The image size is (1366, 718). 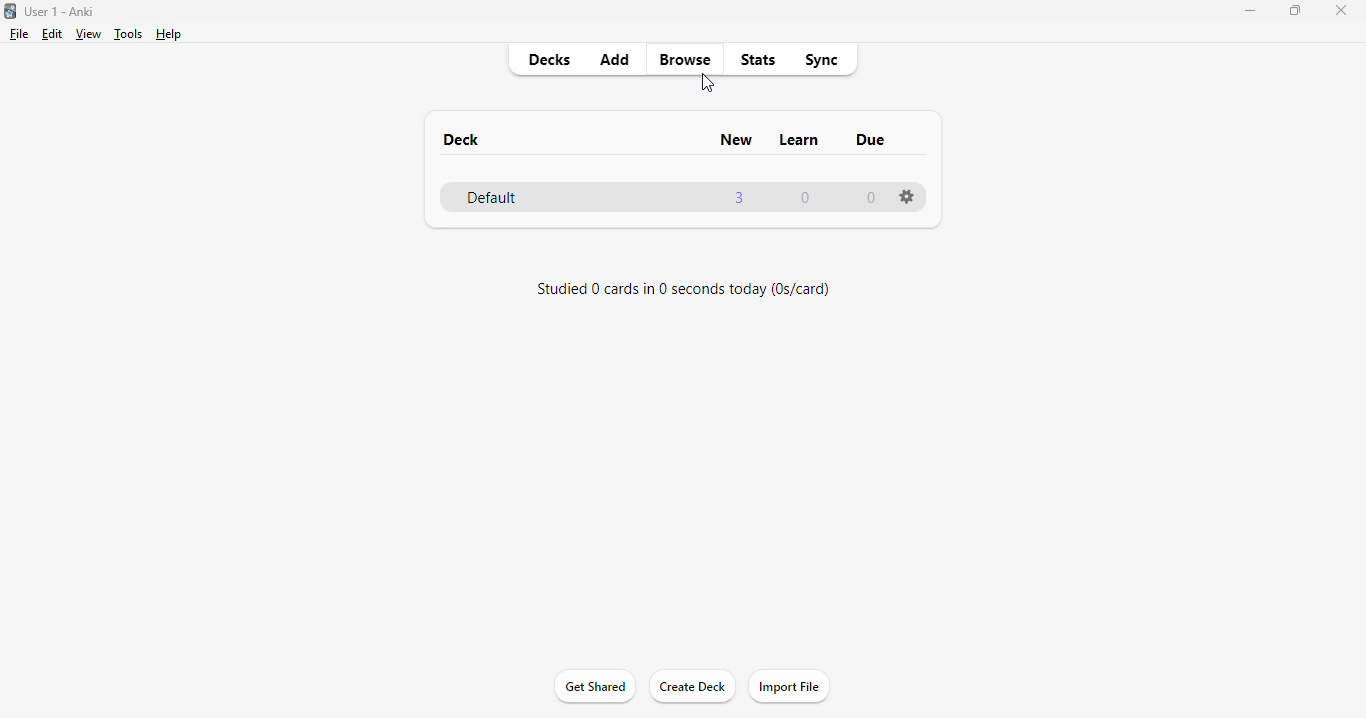 What do you see at coordinates (53, 34) in the screenshot?
I see `edit` at bounding box center [53, 34].